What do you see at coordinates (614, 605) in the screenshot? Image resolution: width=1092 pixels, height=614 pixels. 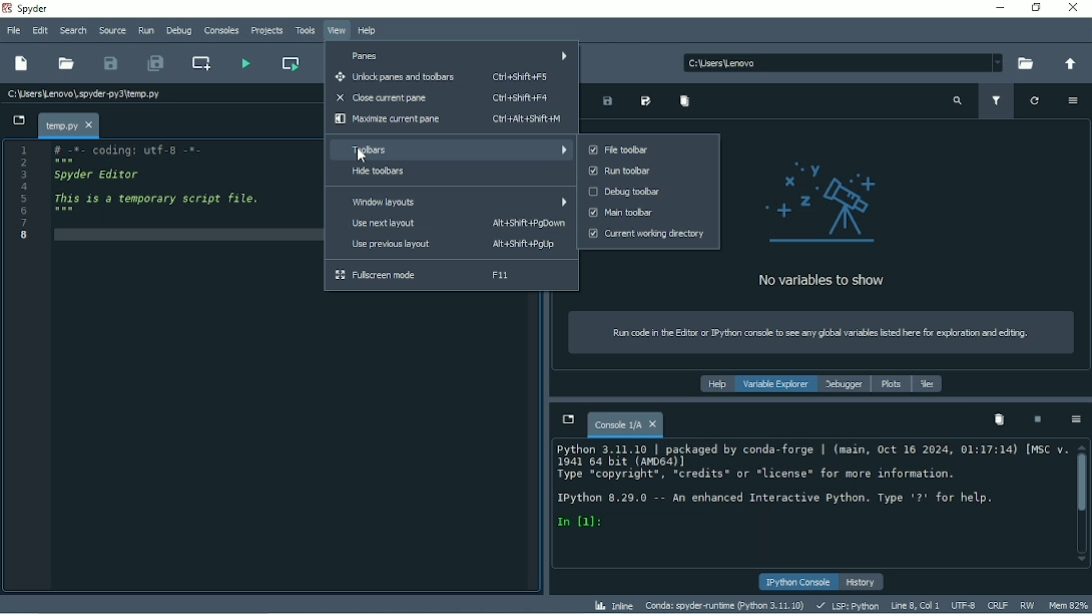 I see `Inline` at bounding box center [614, 605].